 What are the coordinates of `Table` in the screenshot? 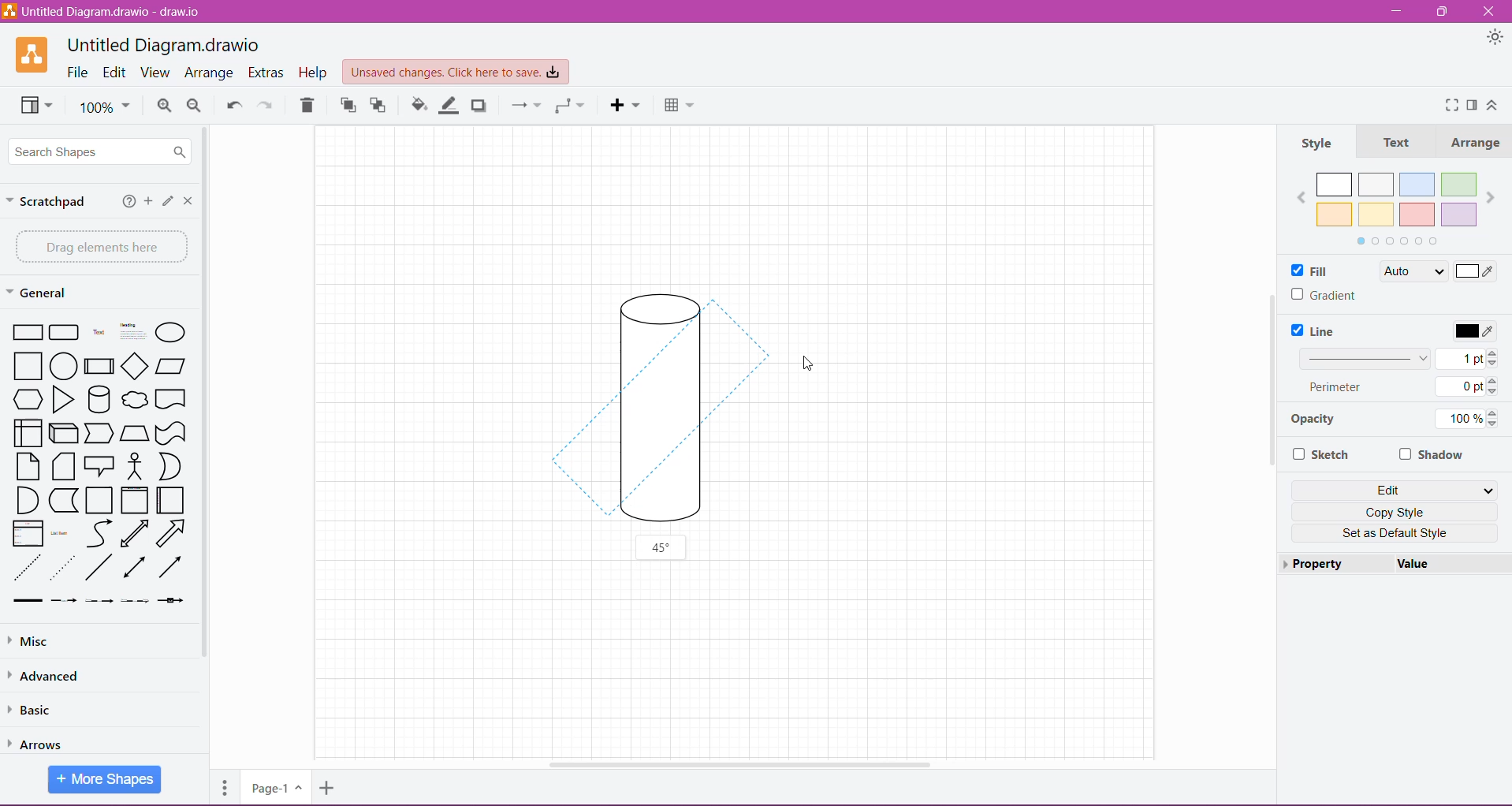 It's located at (680, 106).